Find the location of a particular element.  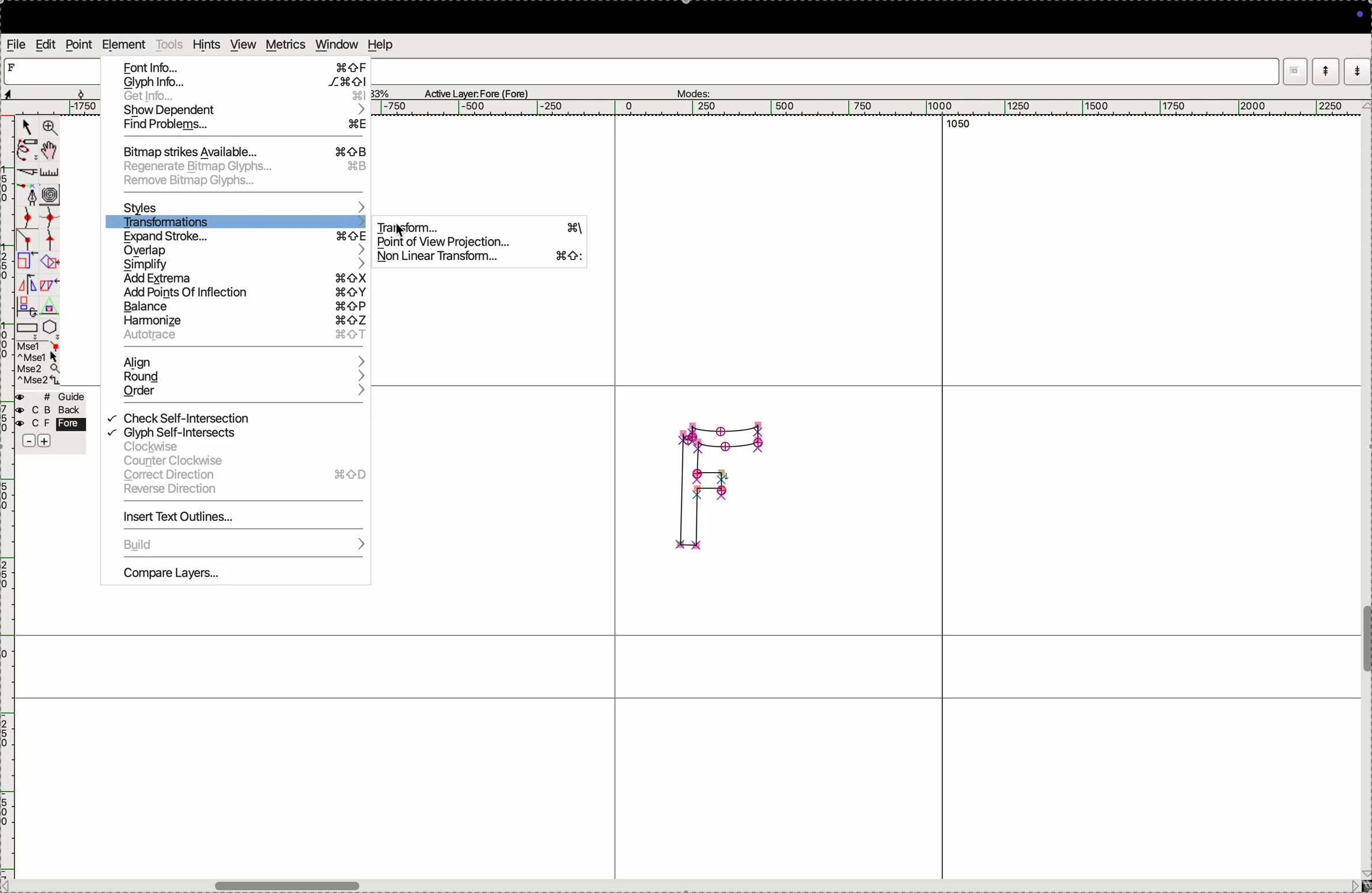

hints is located at coordinates (207, 44).